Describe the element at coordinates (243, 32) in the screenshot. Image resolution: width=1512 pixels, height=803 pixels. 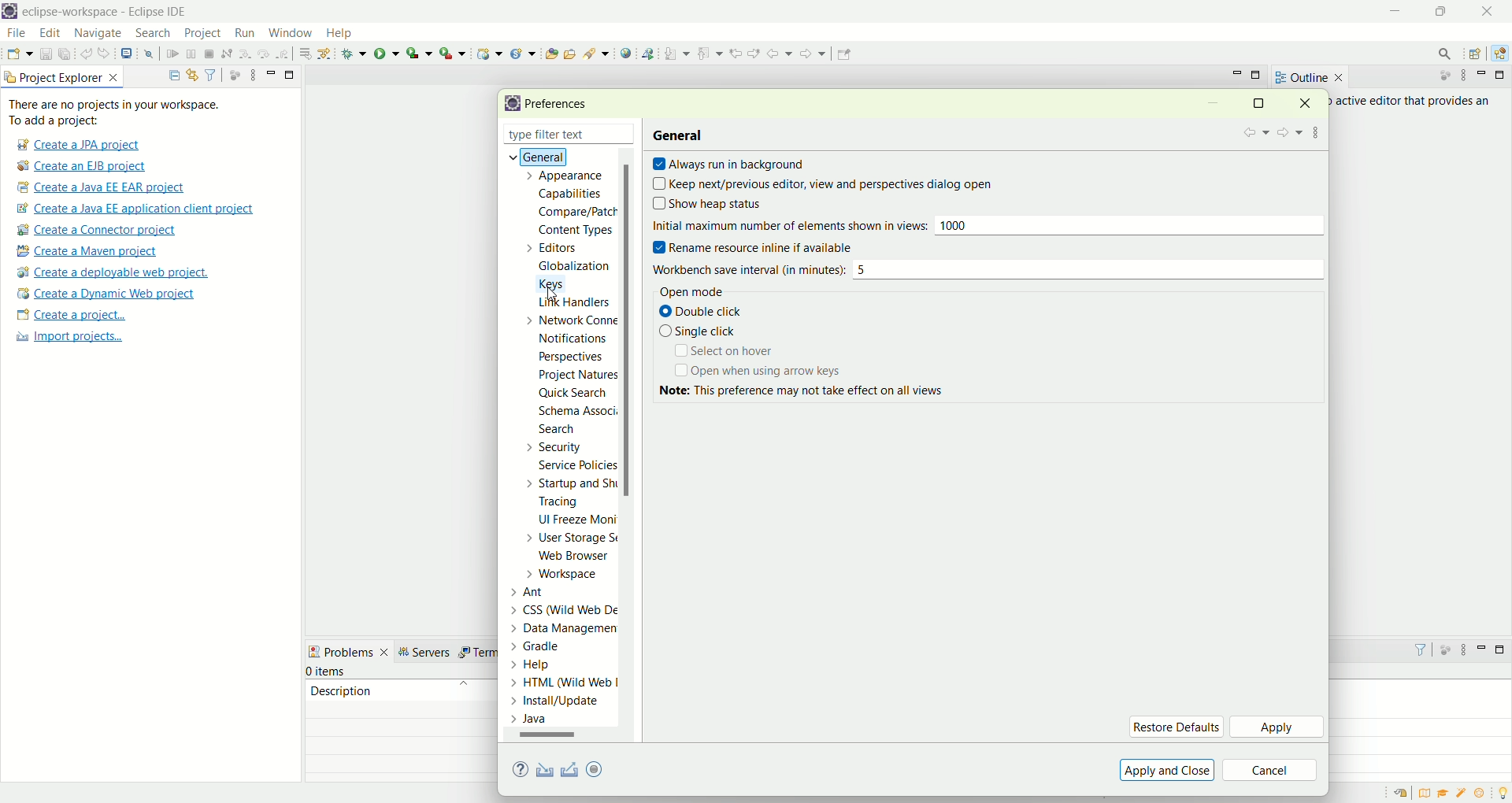
I see `run` at that location.